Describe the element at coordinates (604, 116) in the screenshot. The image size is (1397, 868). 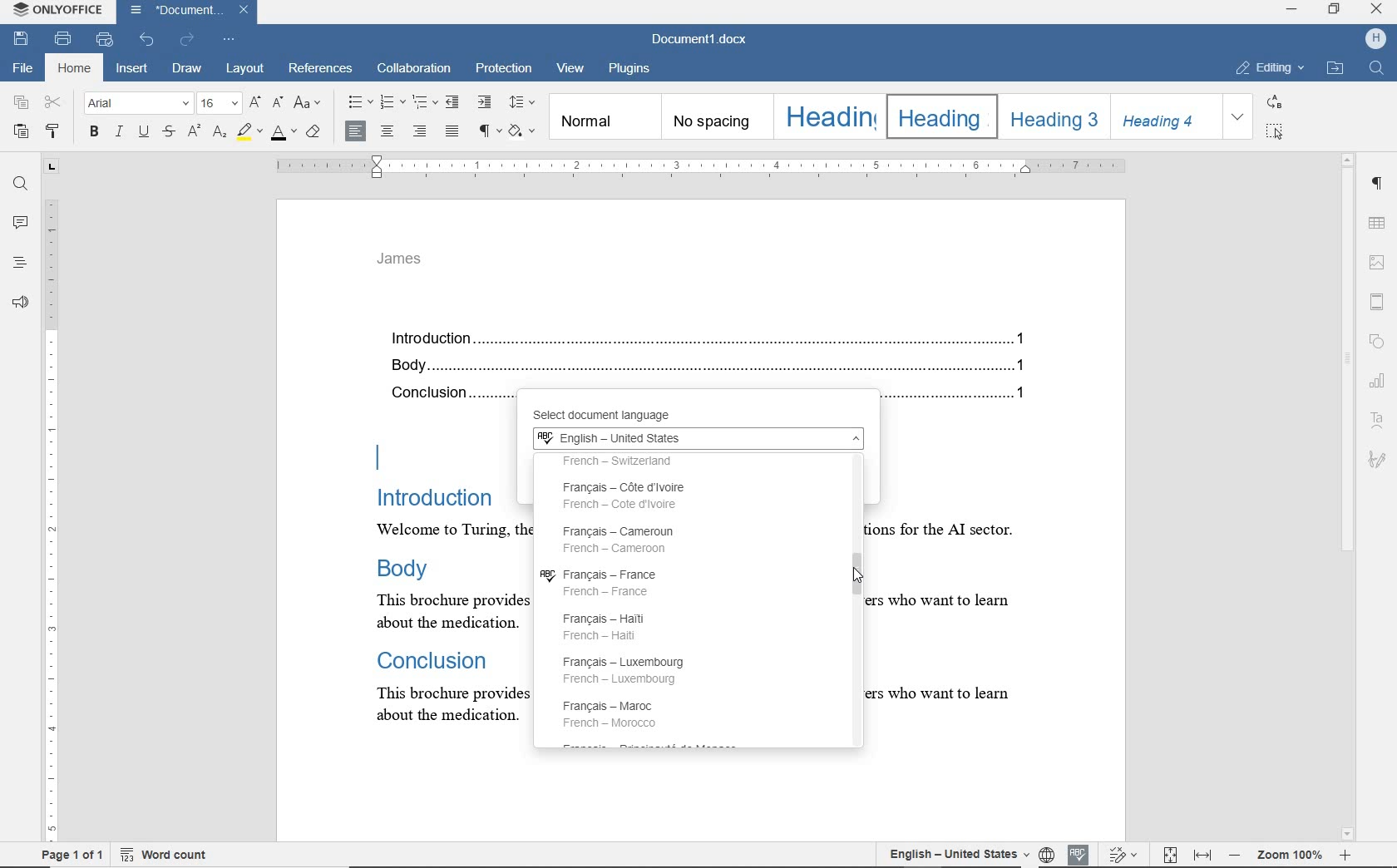
I see `normal` at that location.